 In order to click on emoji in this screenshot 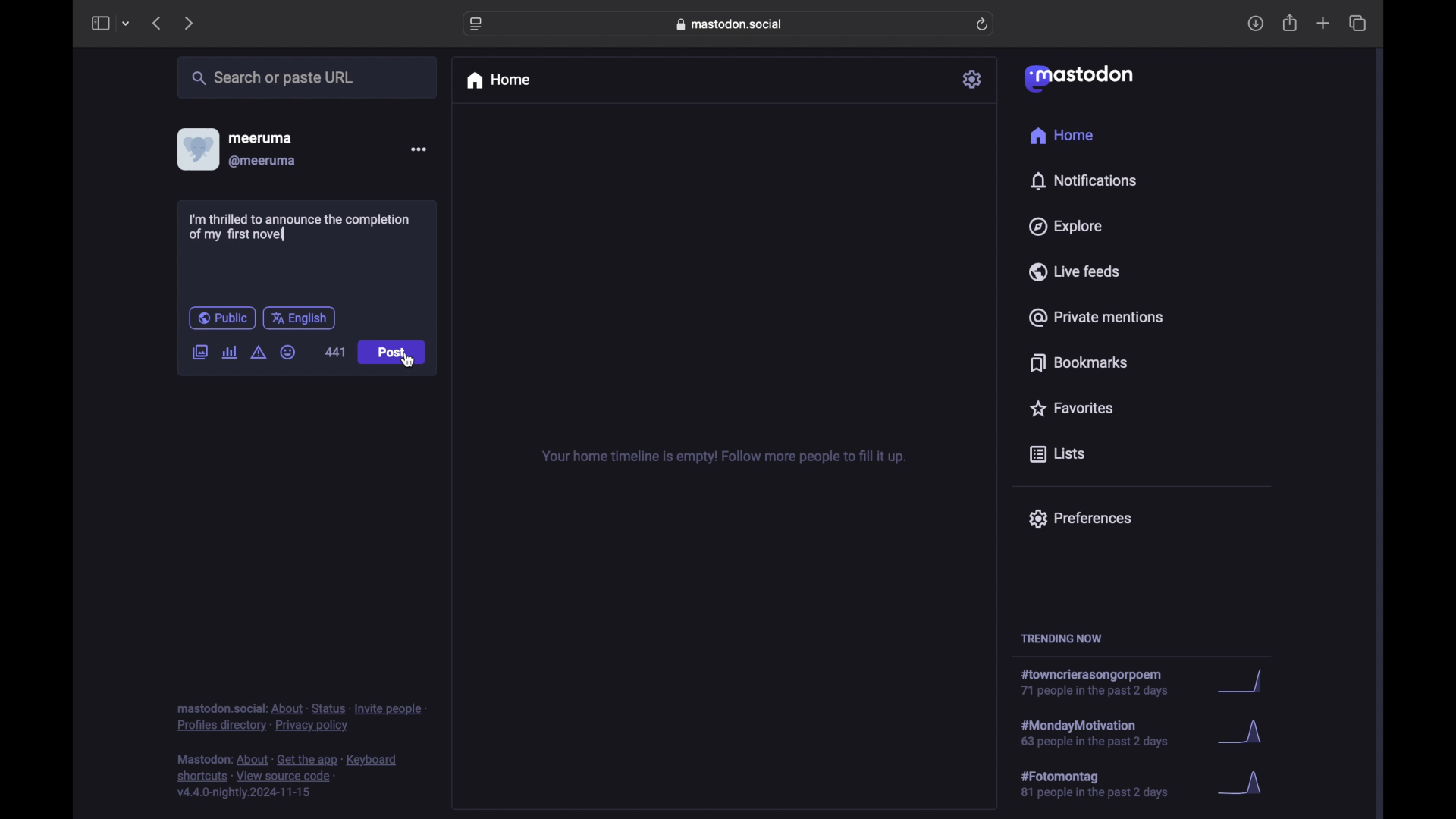, I will do `click(288, 352)`.